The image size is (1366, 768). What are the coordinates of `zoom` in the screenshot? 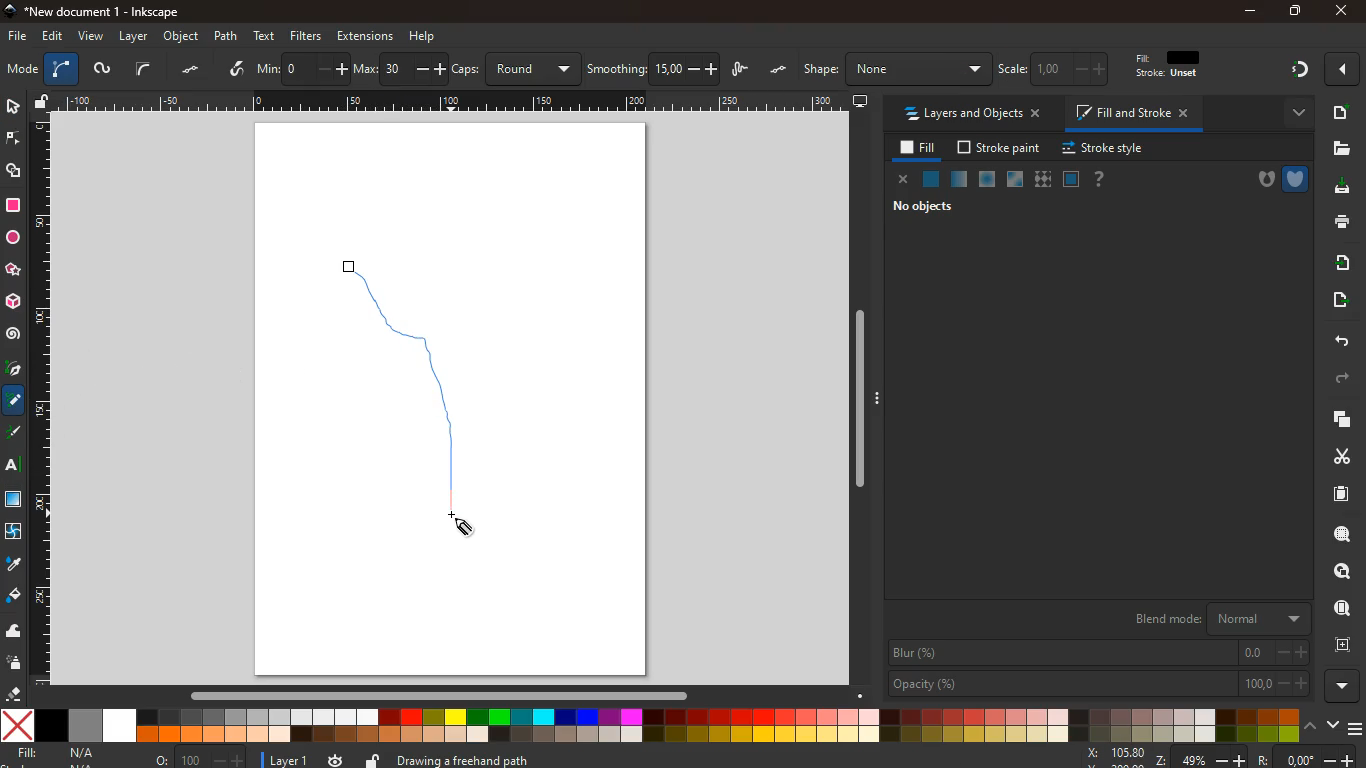 It's located at (201, 756).